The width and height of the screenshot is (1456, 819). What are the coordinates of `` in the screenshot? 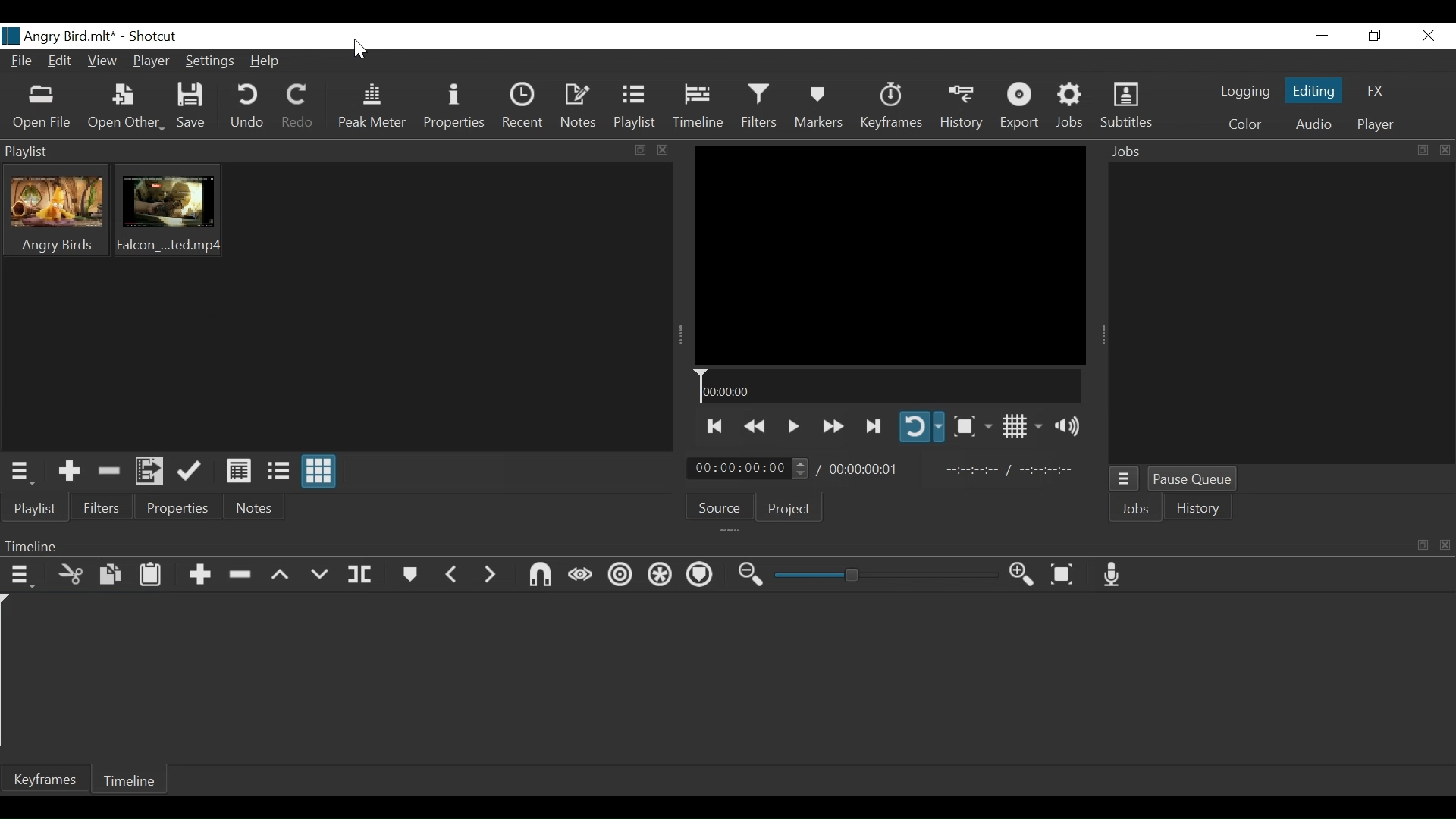 It's located at (522, 107).